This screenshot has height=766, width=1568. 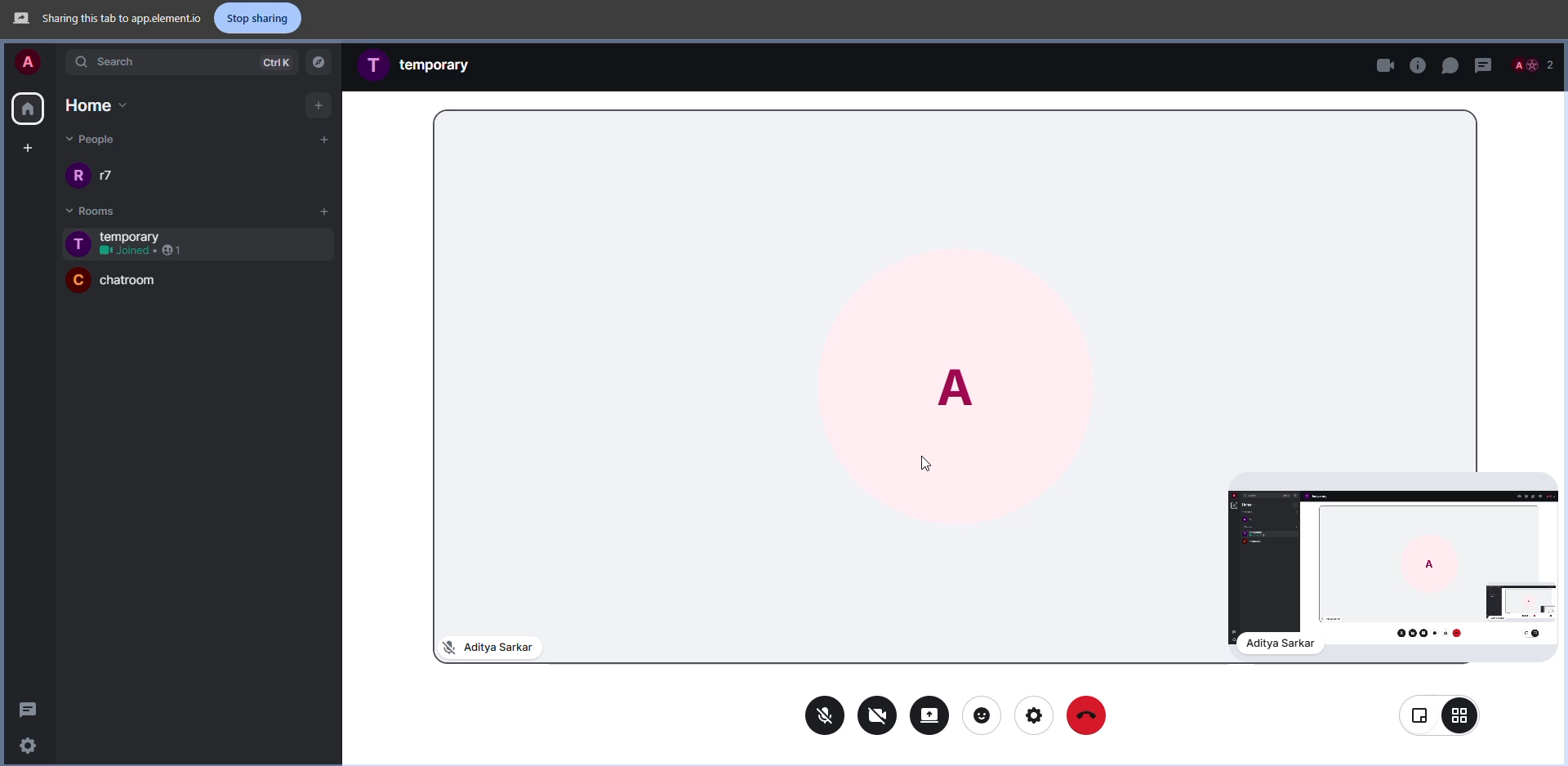 I want to click on video call, so click(x=1386, y=63).